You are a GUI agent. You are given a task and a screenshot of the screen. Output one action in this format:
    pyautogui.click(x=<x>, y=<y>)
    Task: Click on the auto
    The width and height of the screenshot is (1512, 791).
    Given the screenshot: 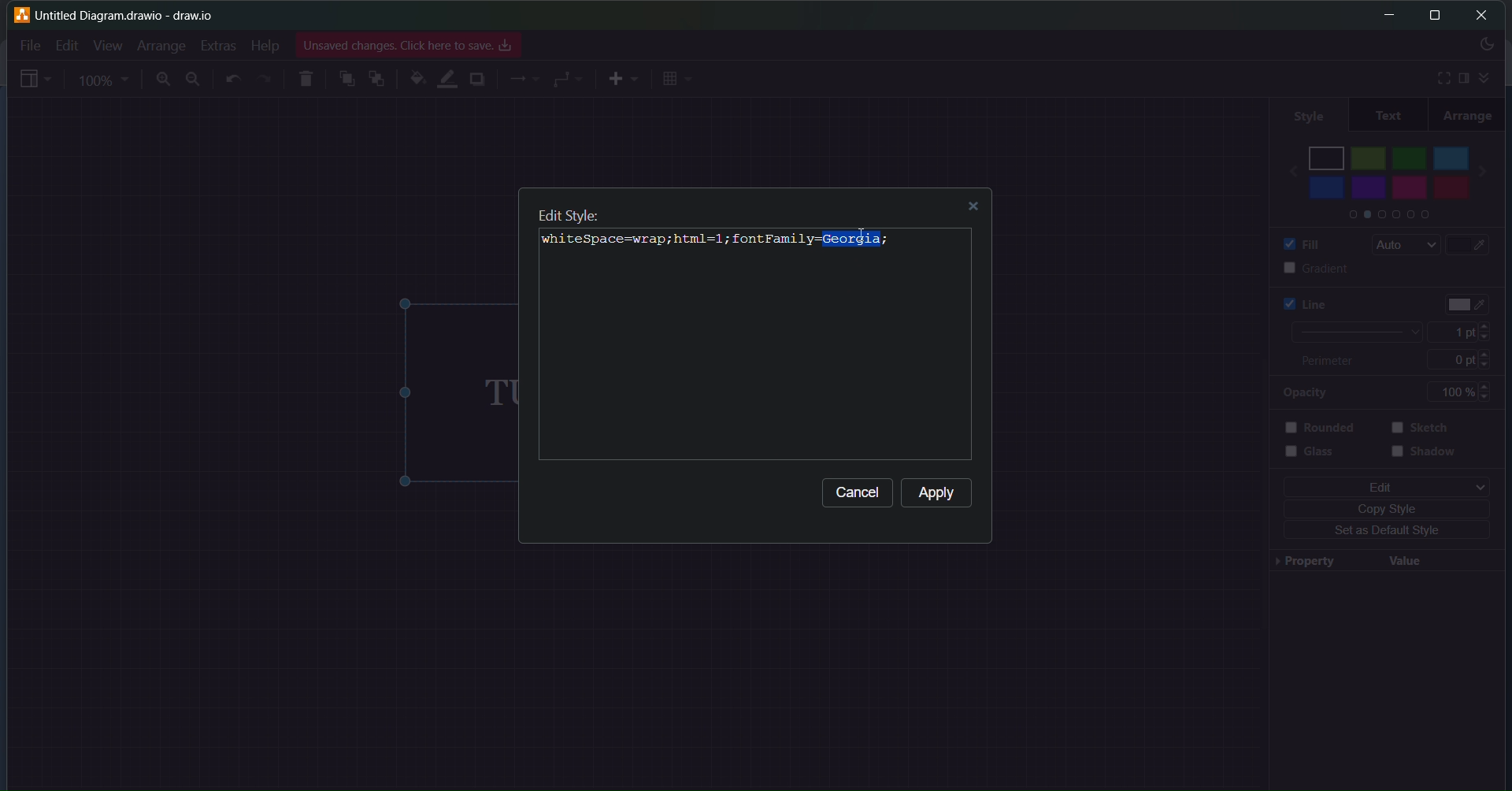 What is the action you would take?
    pyautogui.click(x=1401, y=245)
    